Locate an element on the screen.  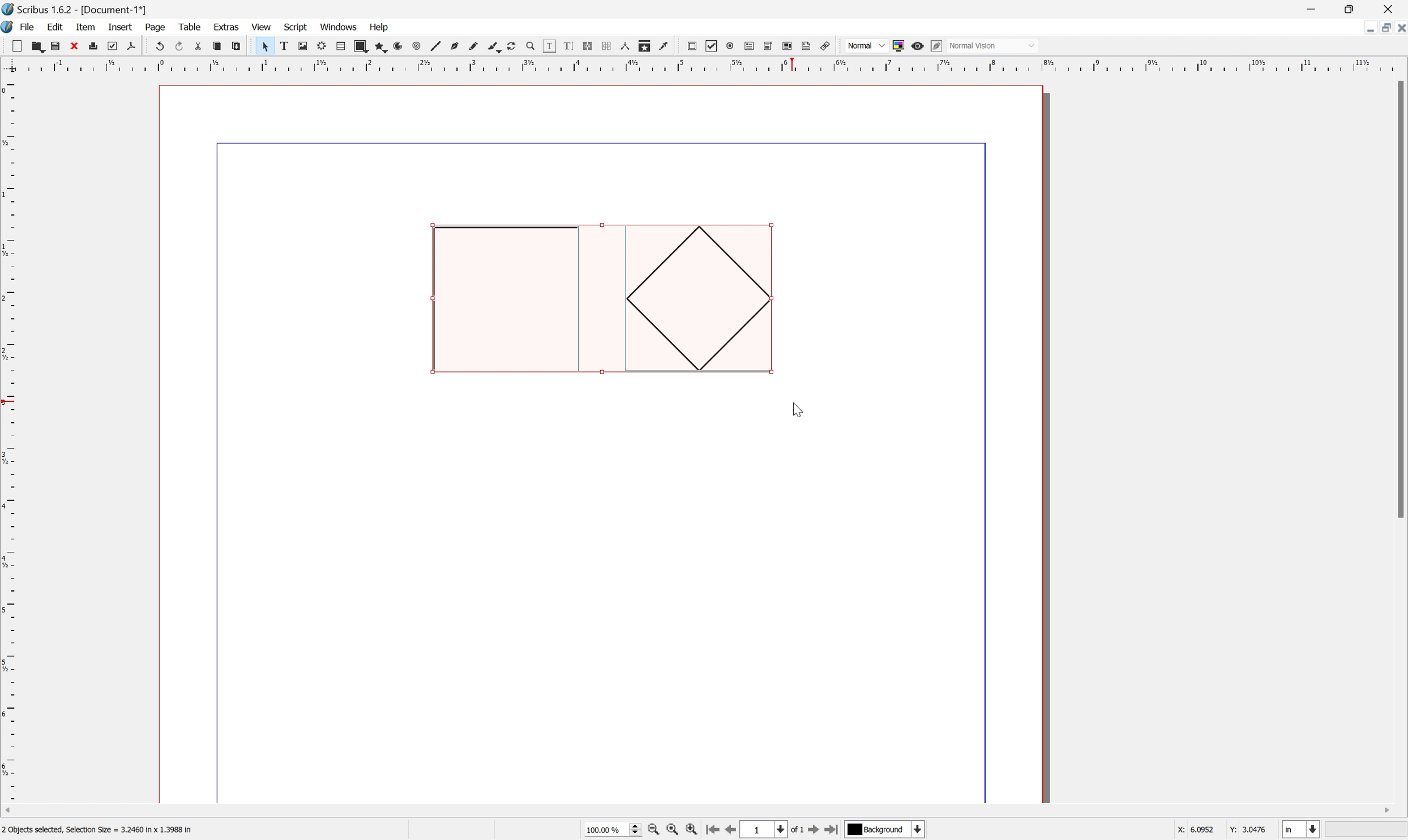
Preview mode is located at coordinates (917, 46).